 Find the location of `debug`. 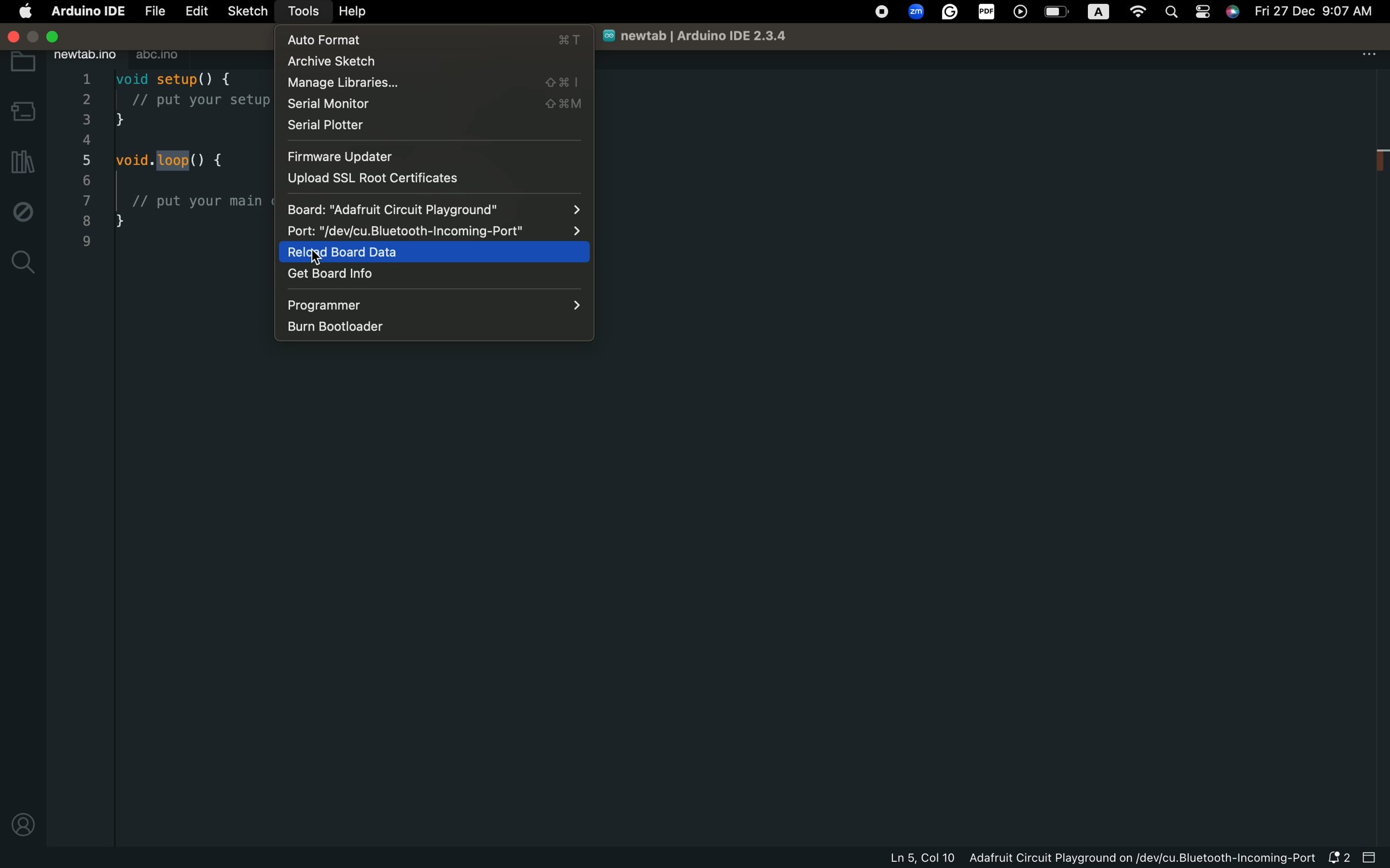

debug is located at coordinates (24, 212).